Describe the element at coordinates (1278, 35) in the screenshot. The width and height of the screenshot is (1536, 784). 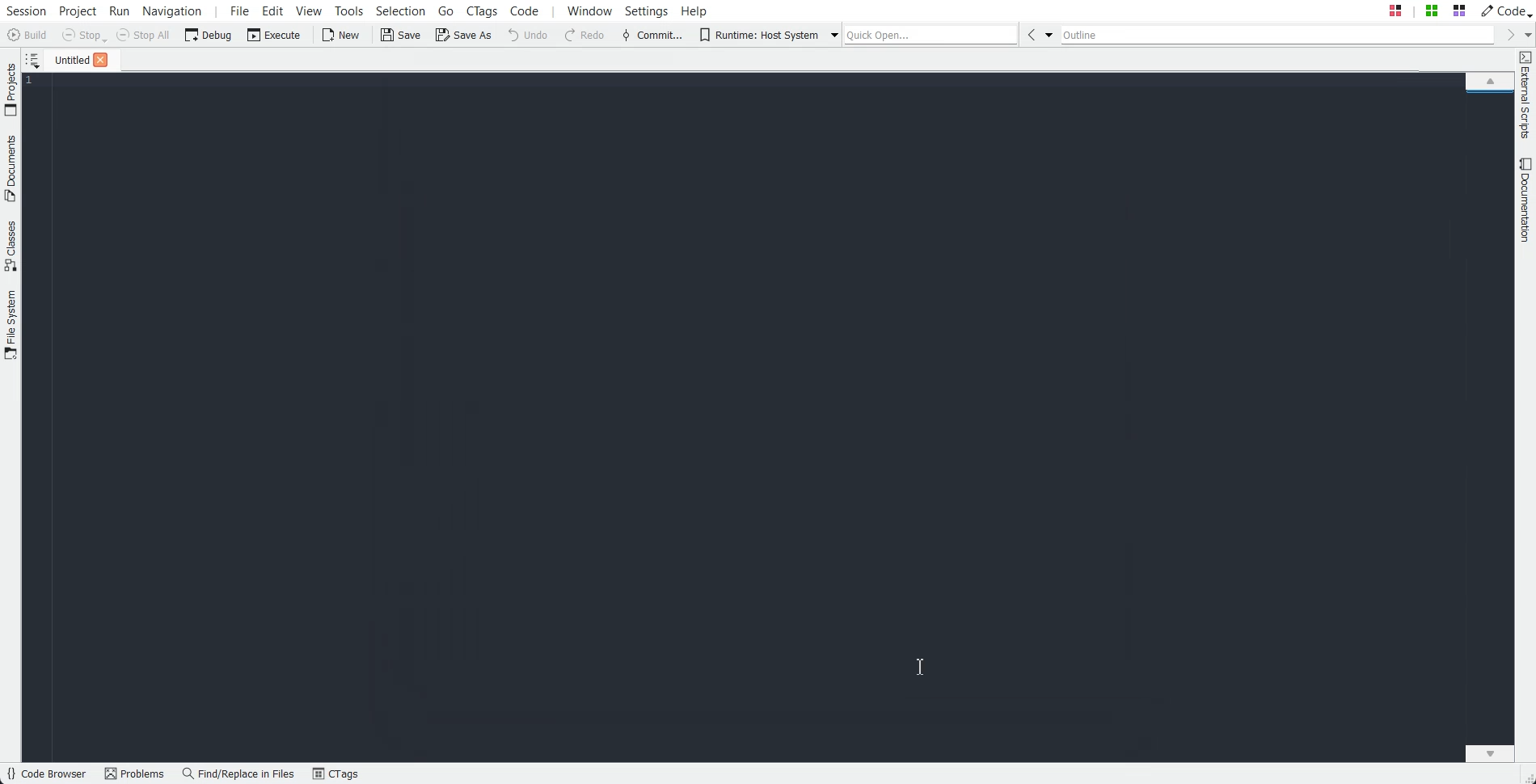
I see `Outline` at that location.